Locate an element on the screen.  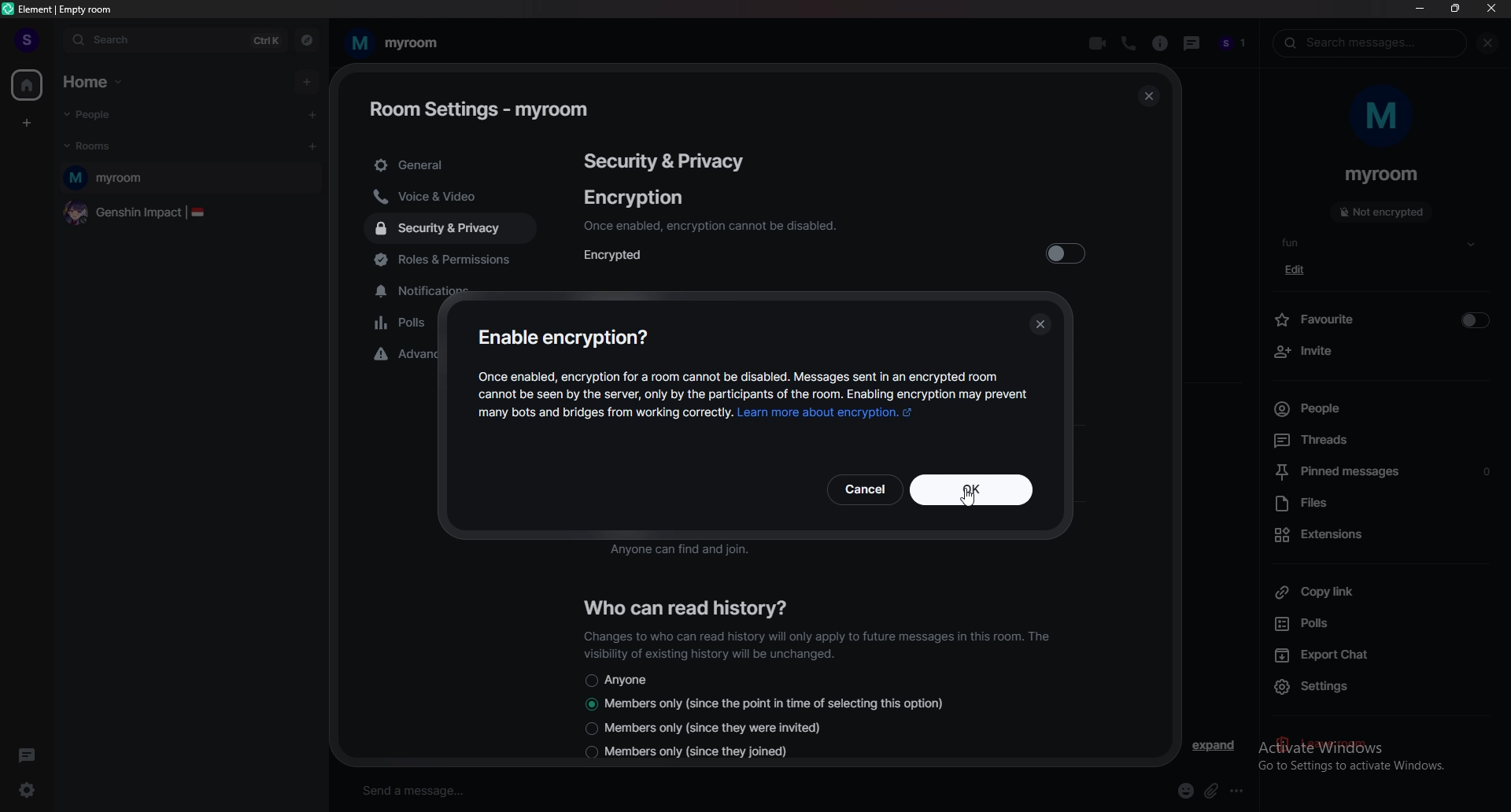
send a message is located at coordinates (484, 790).